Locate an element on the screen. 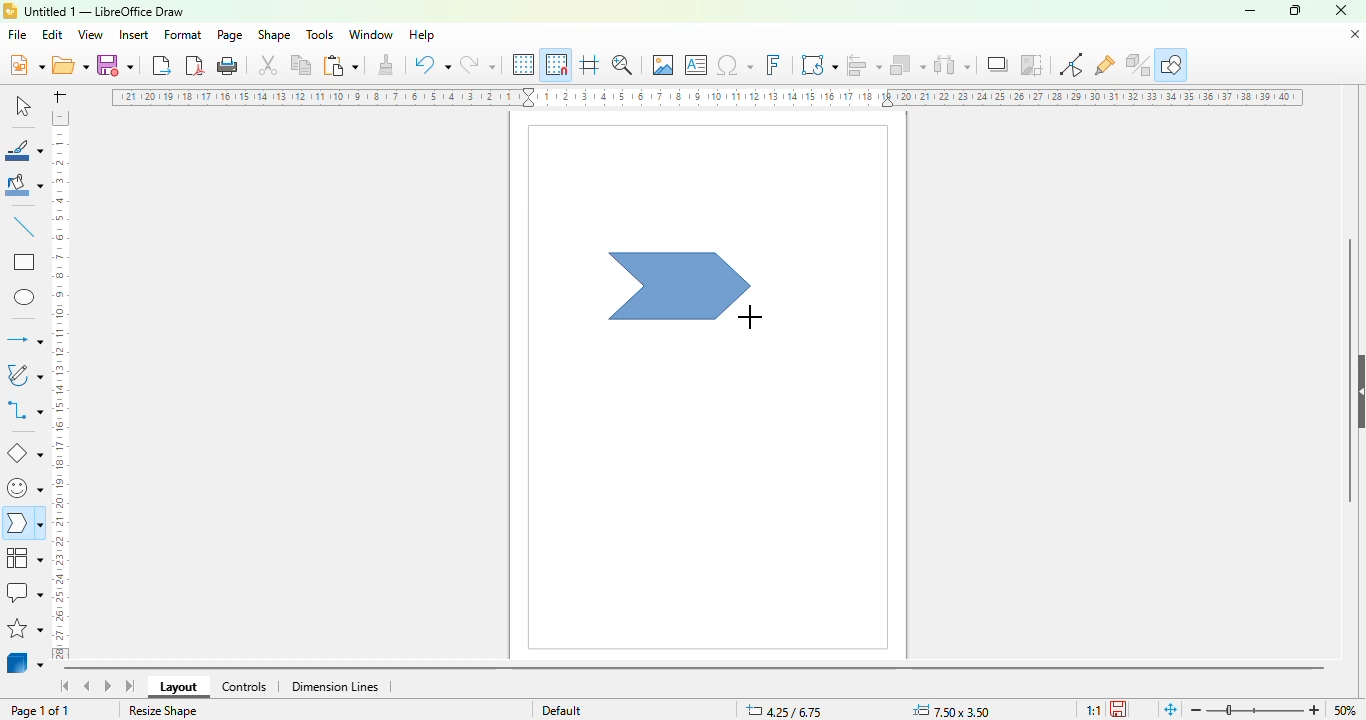 The height and width of the screenshot is (720, 1366). change in width and height of object is located at coordinates (951, 711).